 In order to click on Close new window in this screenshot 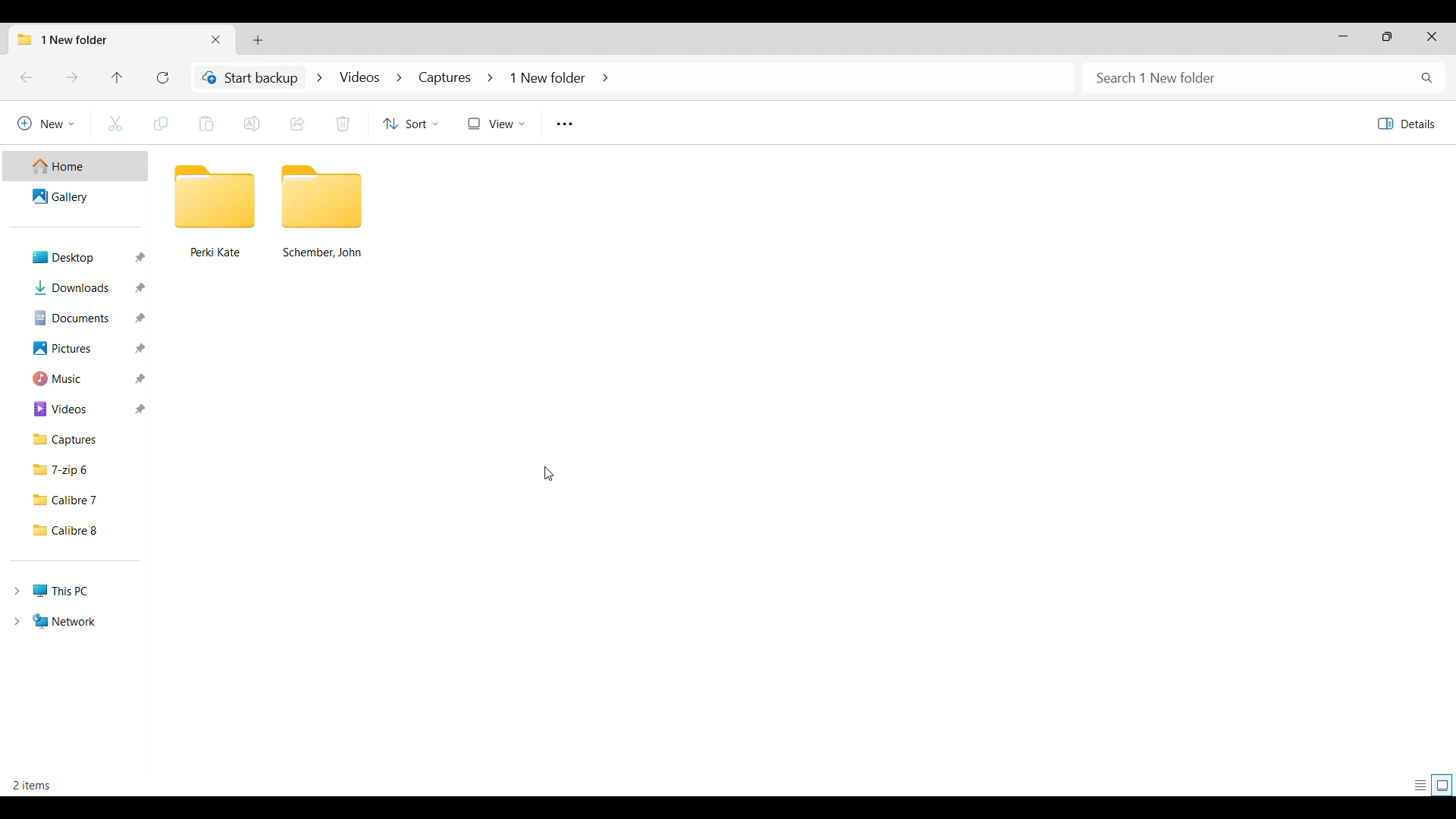, I will do `click(1432, 37)`.